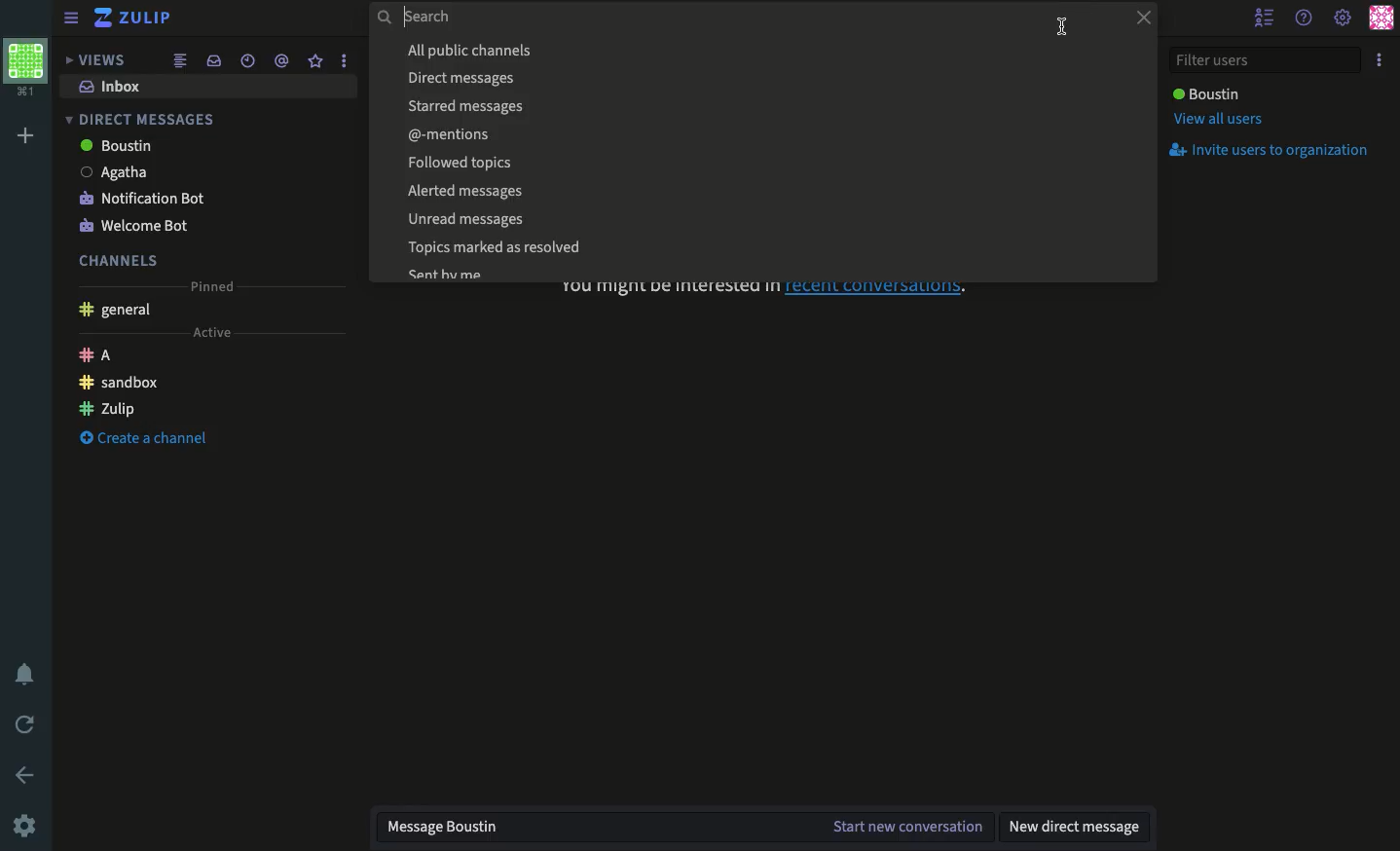 This screenshot has height=851, width=1400. Describe the element at coordinates (95, 355) in the screenshot. I see `A` at that location.